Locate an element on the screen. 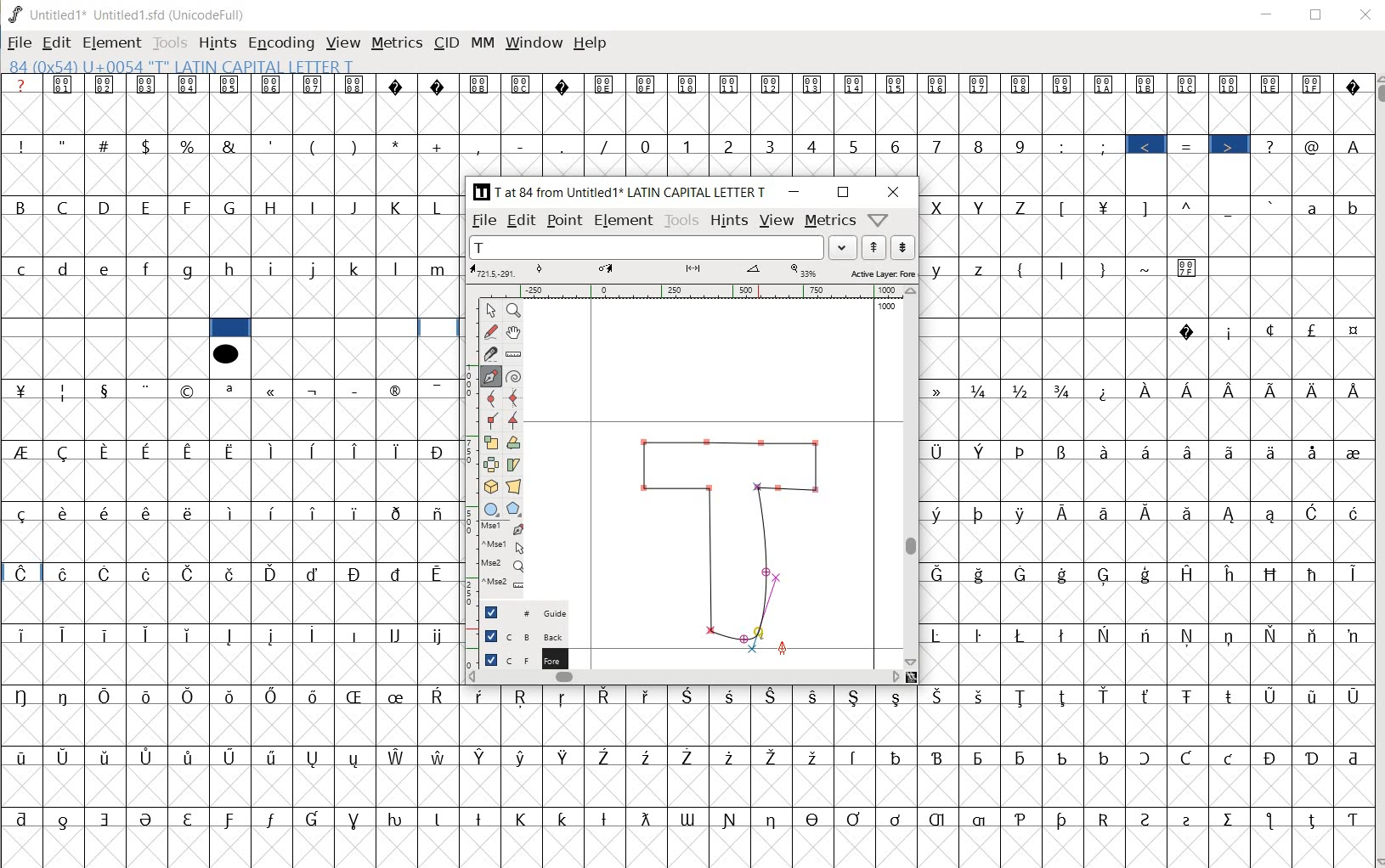 Image resolution: width=1385 pixels, height=868 pixels. Untitled1* Untitled 1.sfd (UnicodeFull) is located at coordinates (135, 14).